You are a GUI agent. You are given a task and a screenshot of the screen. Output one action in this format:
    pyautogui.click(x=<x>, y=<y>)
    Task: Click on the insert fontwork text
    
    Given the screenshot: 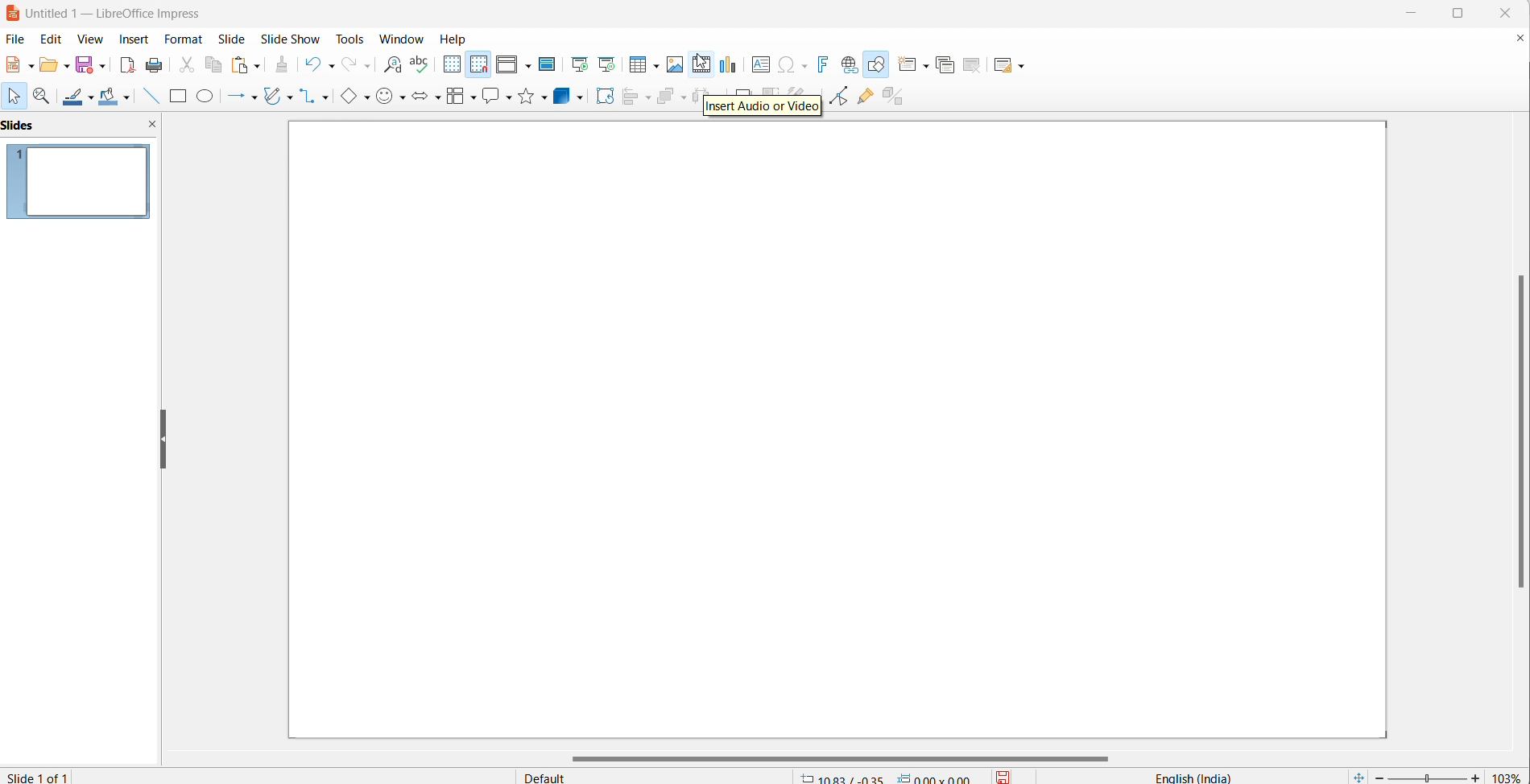 What is the action you would take?
    pyautogui.click(x=827, y=65)
    